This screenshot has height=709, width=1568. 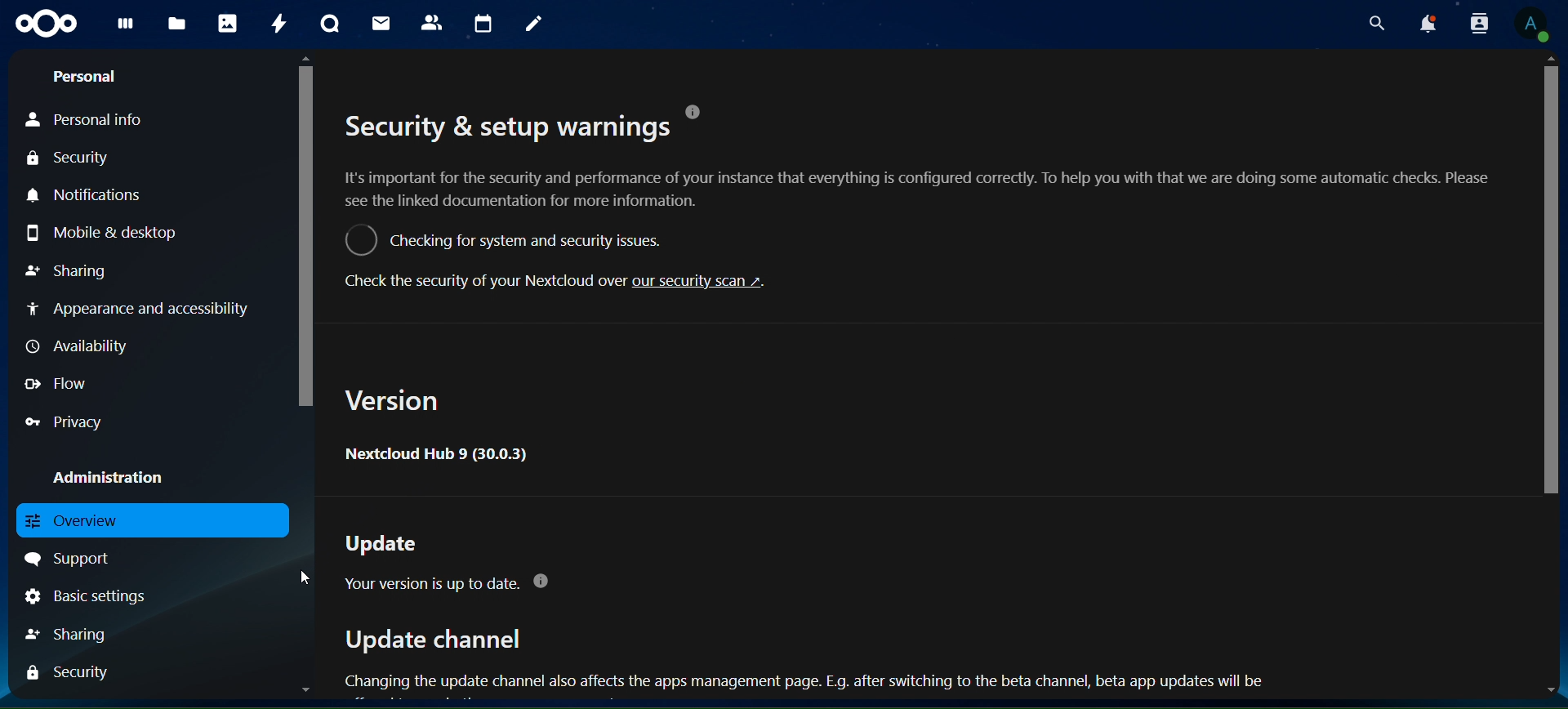 What do you see at coordinates (908, 199) in the screenshot?
I see `Security & setup warnings .

It's important for the security and performance of your instance that everything is configured correctly. To help you with that we are doing some automatic checks. Please
see the linked documentation for more information.

©) Checking for system and security issues.

Check the security of your Nextcloud over our security scan ~.` at bounding box center [908, 199].